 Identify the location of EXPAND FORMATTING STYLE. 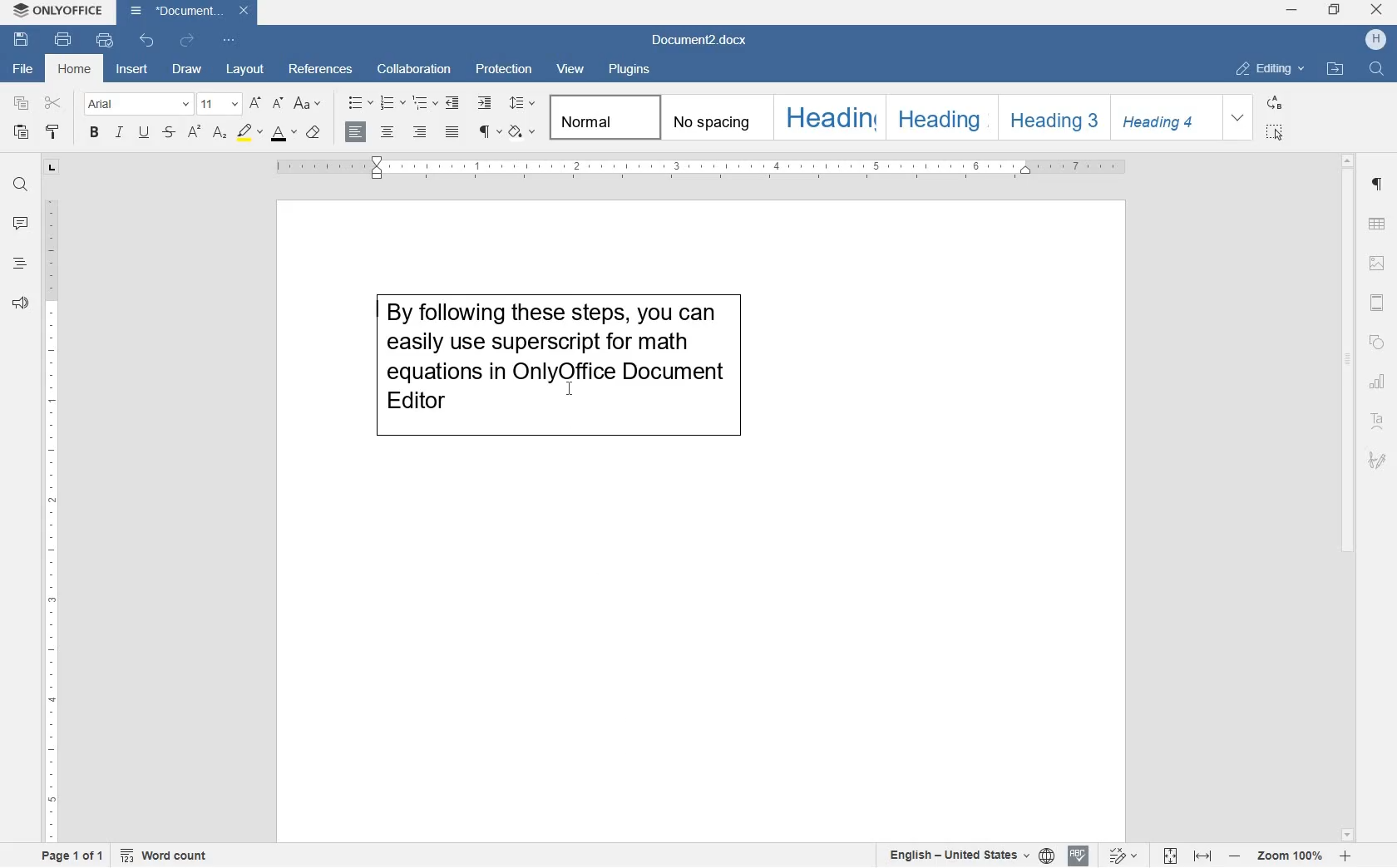
(1237, 118).